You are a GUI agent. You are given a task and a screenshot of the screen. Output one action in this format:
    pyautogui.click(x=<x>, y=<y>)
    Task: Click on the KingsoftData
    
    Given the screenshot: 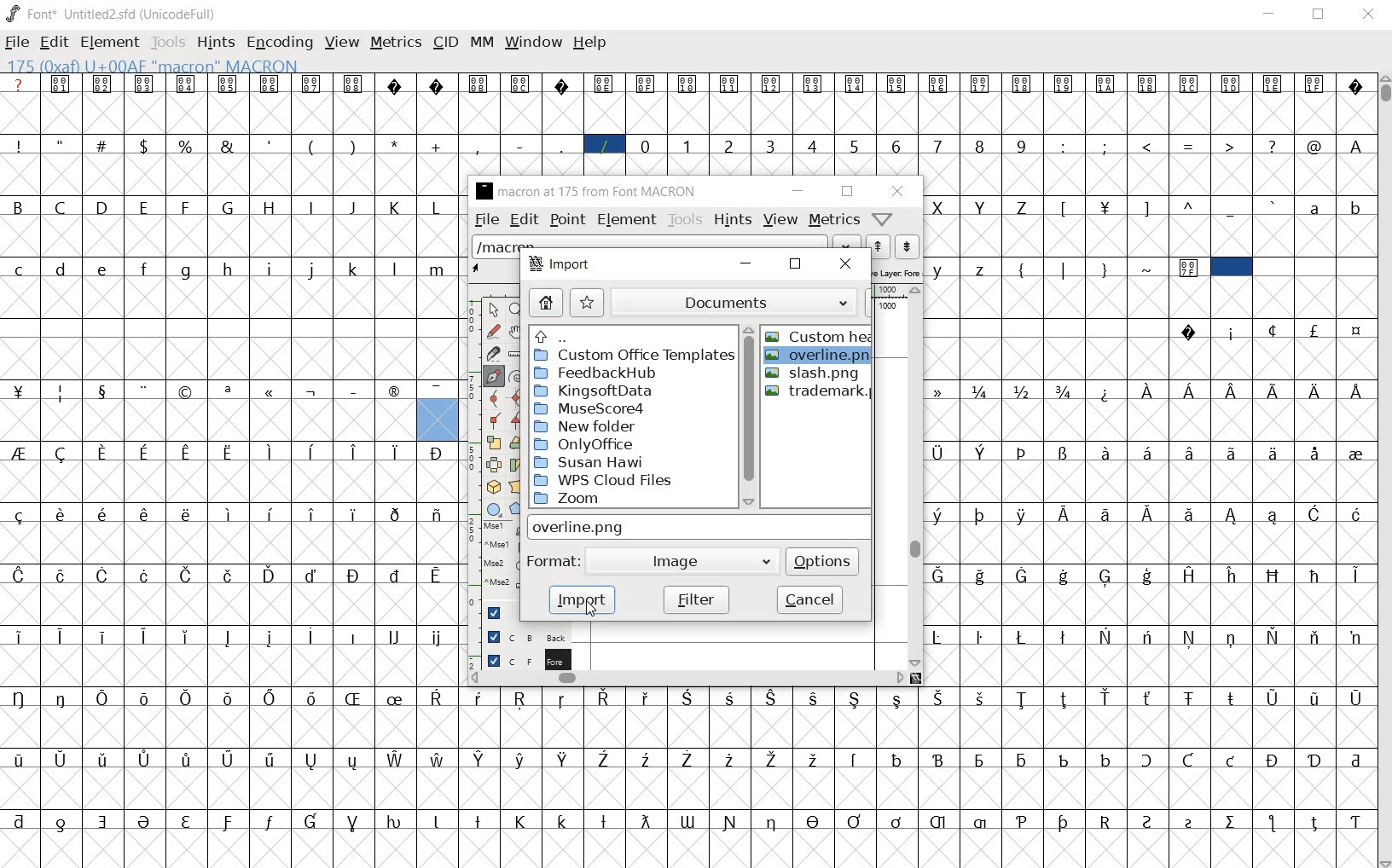 What is the action you would take?
    pyautogui.click(x=609, y=391)
    